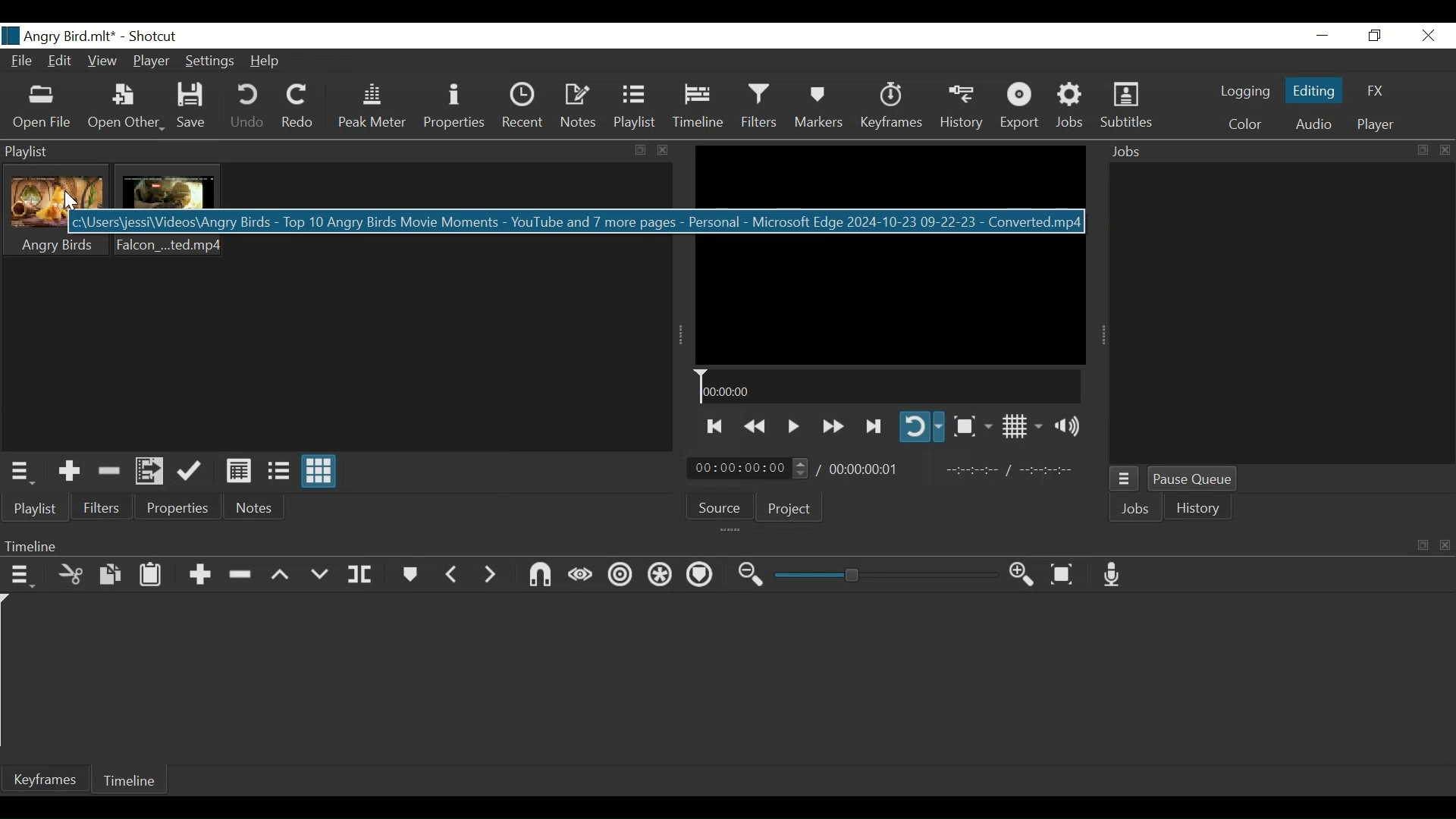  I want to click on Toggle play or pause, so click(794, 424).